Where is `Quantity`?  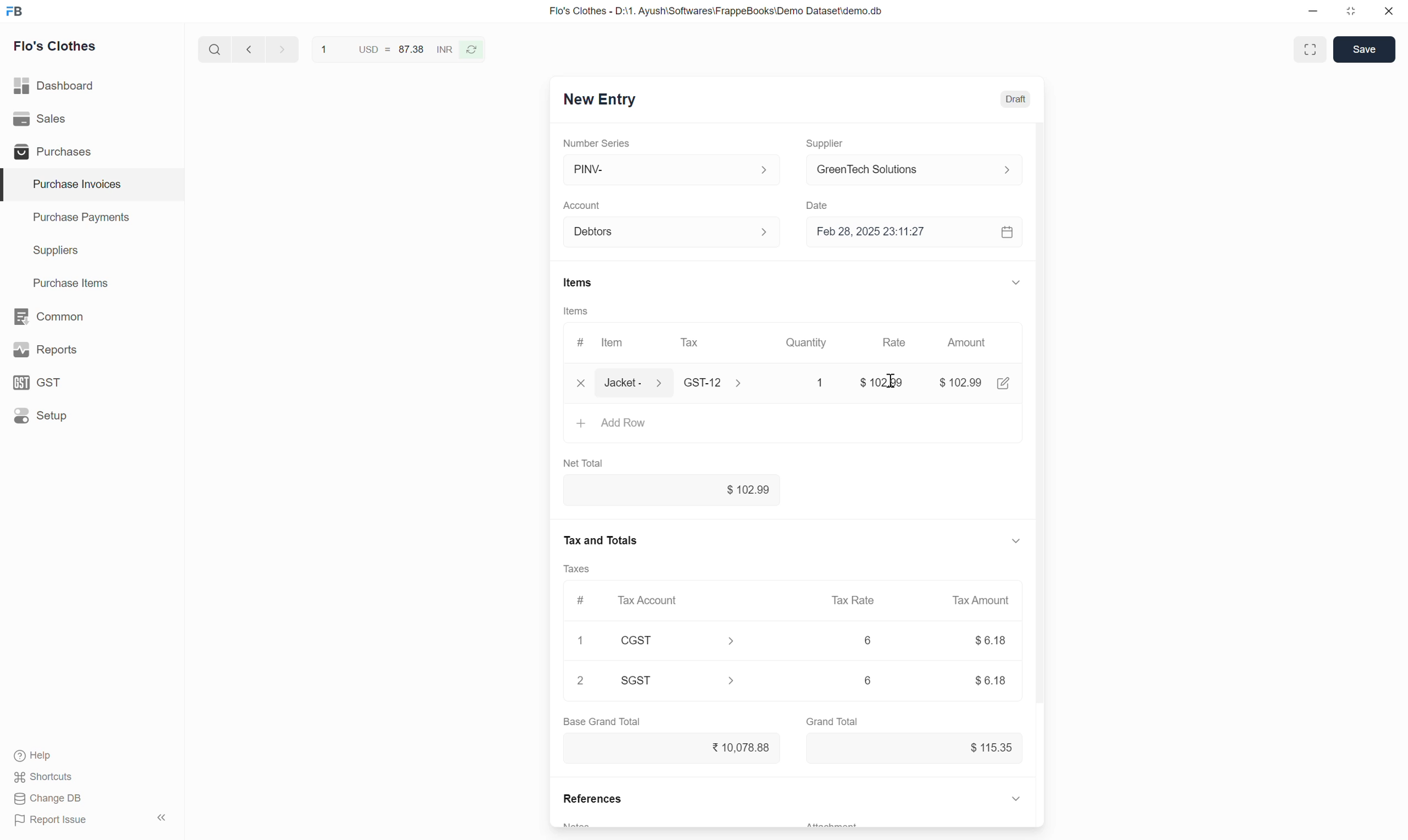 Quantity is located at coordinates (807, 341).